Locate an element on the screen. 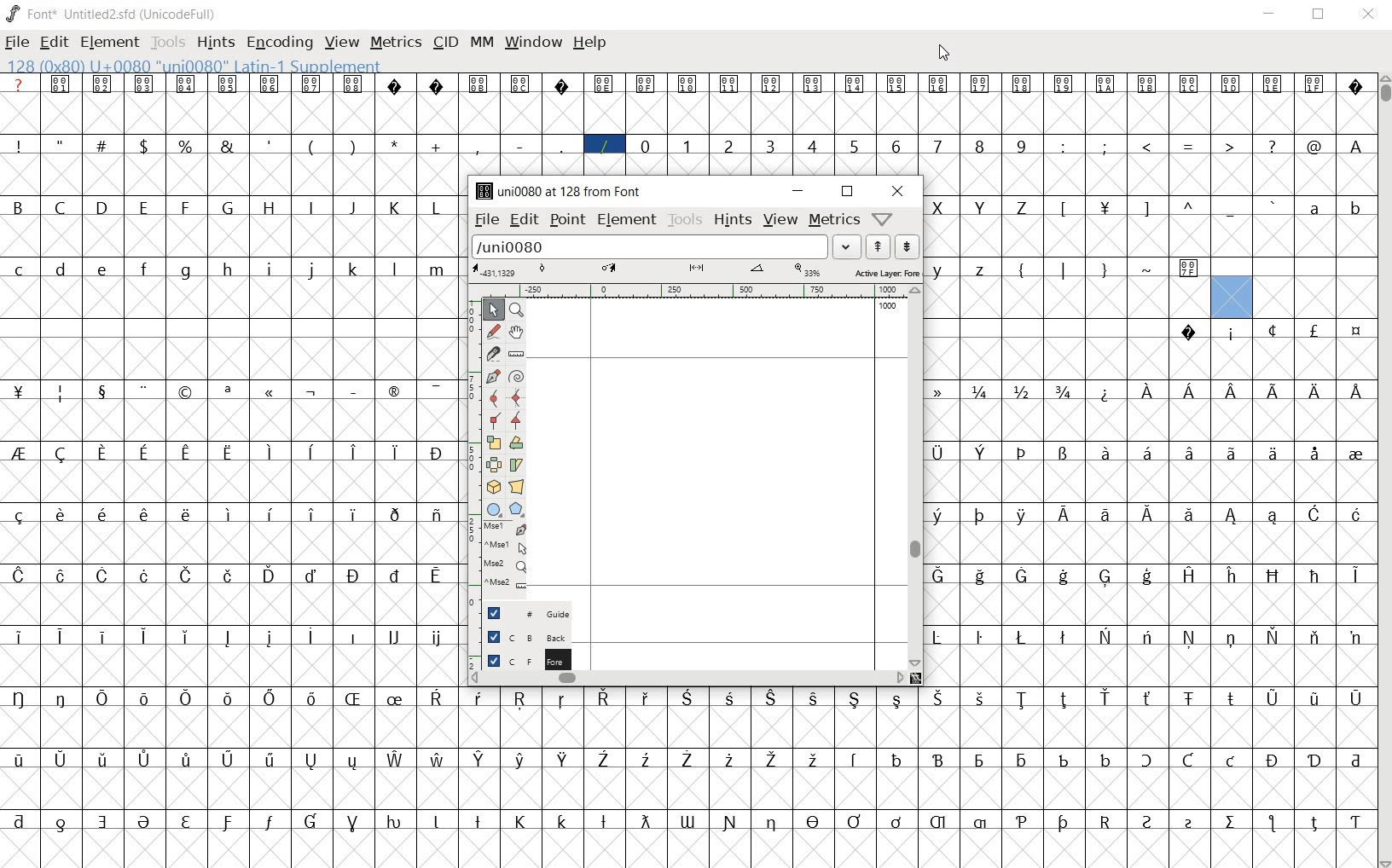  glyph is located at coordinates (20, 821).